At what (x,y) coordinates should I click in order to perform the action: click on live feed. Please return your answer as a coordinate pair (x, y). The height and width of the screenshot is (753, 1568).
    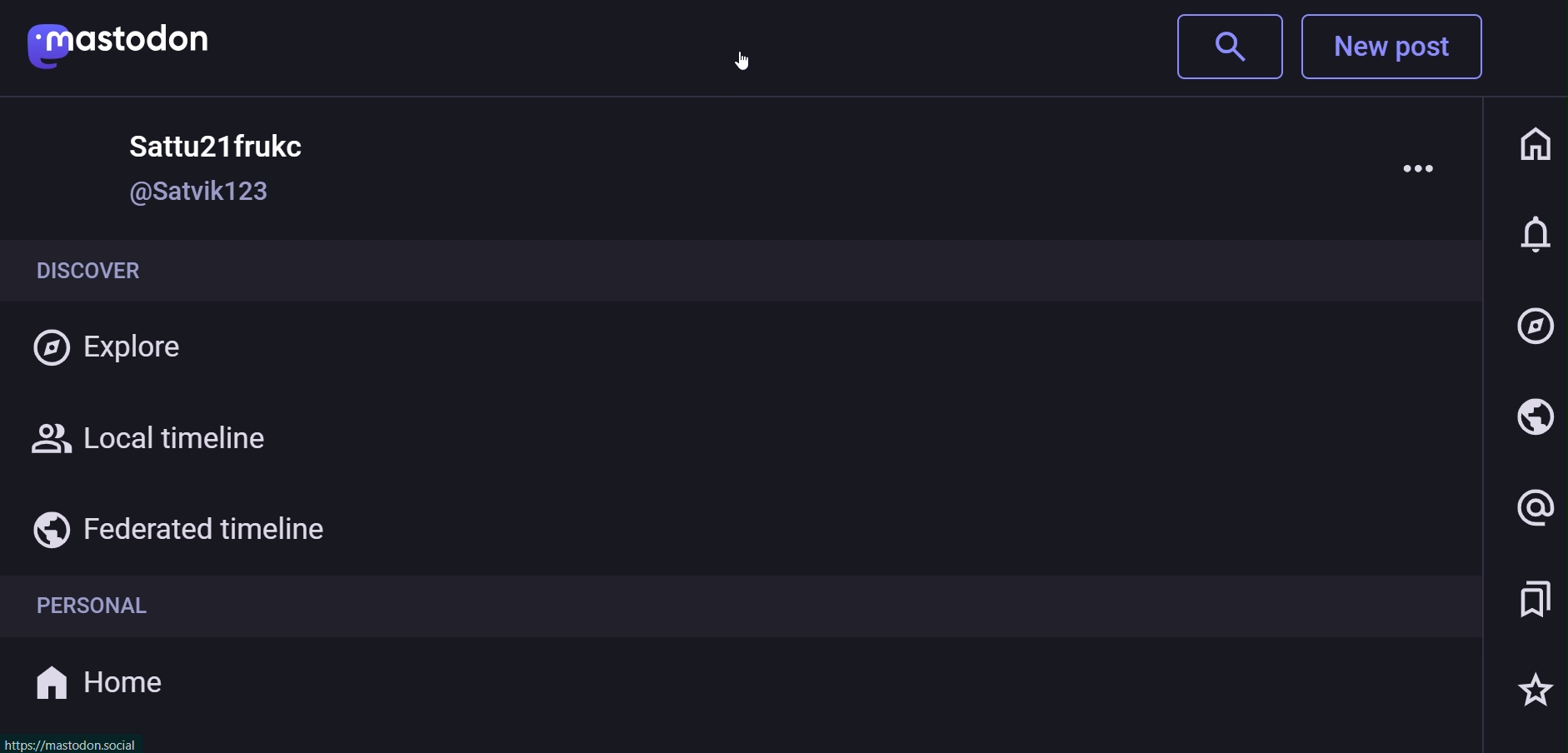
    Looking at the image, I should click on (1531, 420).